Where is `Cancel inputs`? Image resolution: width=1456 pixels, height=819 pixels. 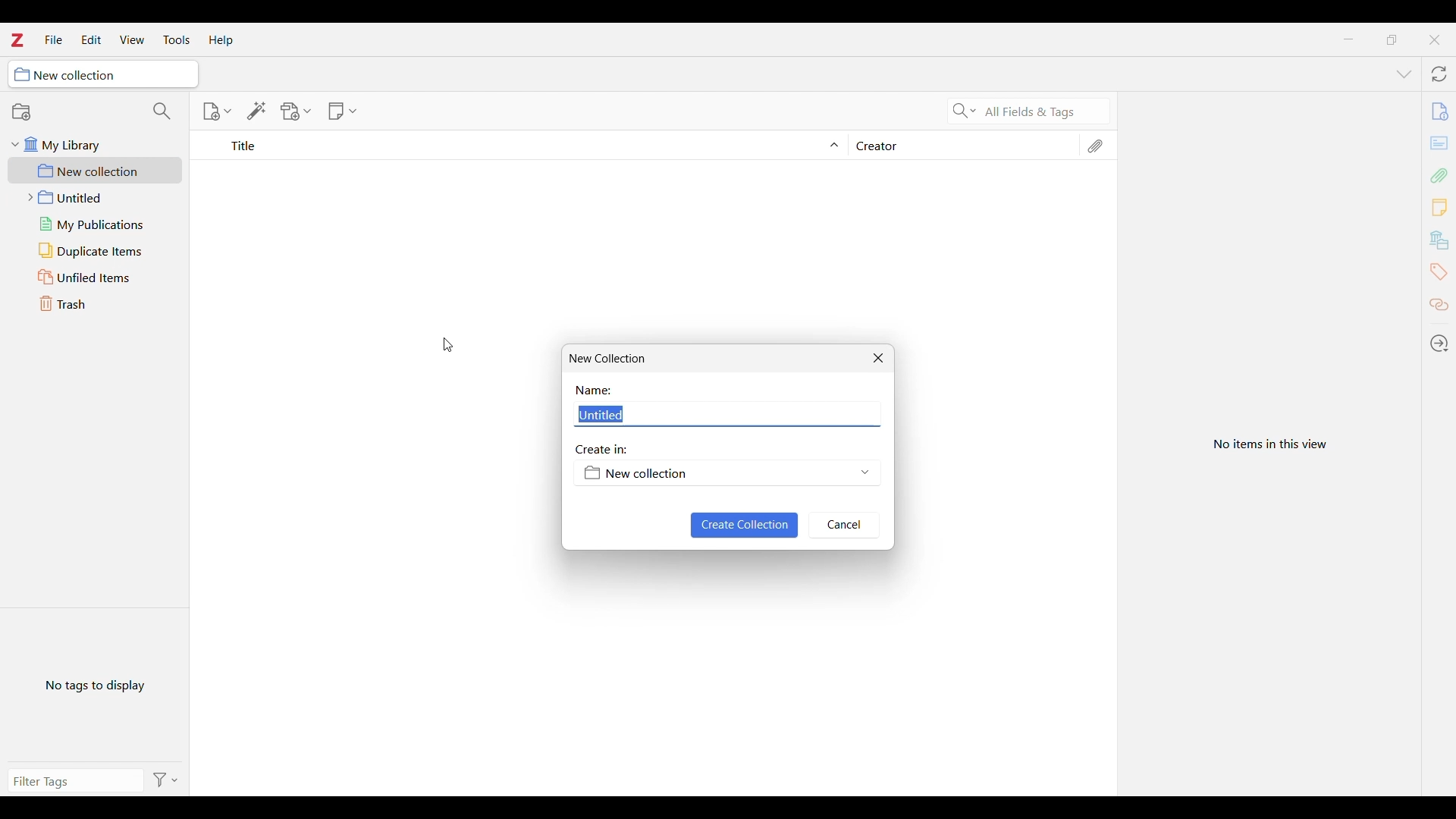
Cancel inputs is located at coordinates (844, 526).